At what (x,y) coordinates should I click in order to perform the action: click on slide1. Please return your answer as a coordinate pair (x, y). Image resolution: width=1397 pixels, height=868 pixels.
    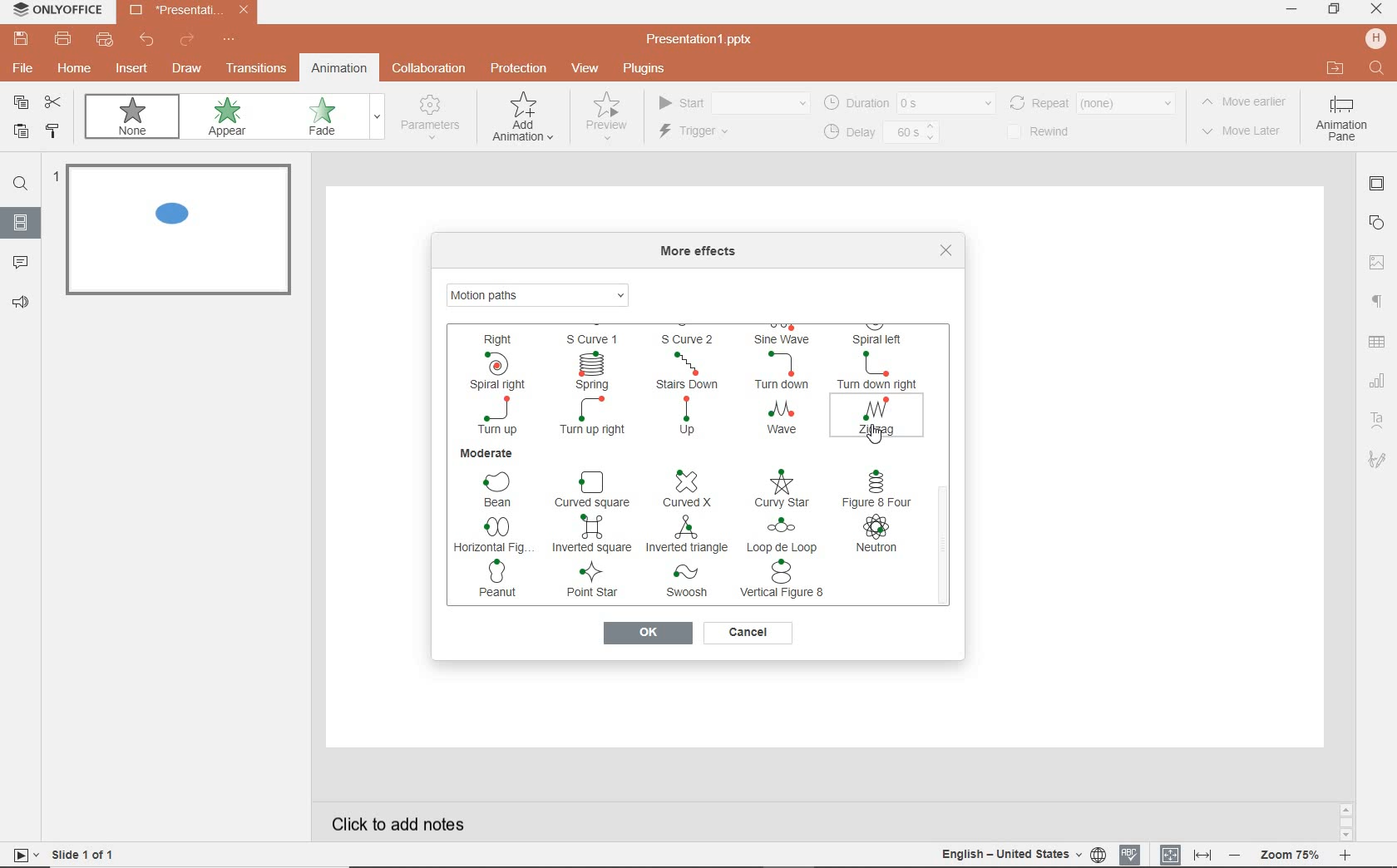
    Looking at the image, I should click on (183, 233).